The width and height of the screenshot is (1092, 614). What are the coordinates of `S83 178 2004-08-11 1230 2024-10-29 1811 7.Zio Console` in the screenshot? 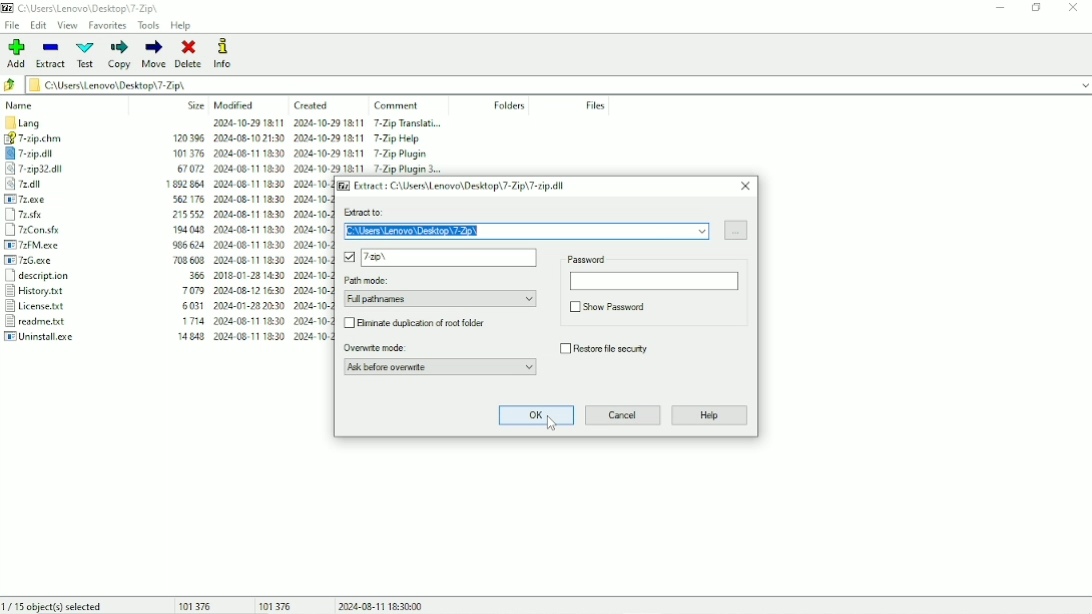 It's located at (247, 198).